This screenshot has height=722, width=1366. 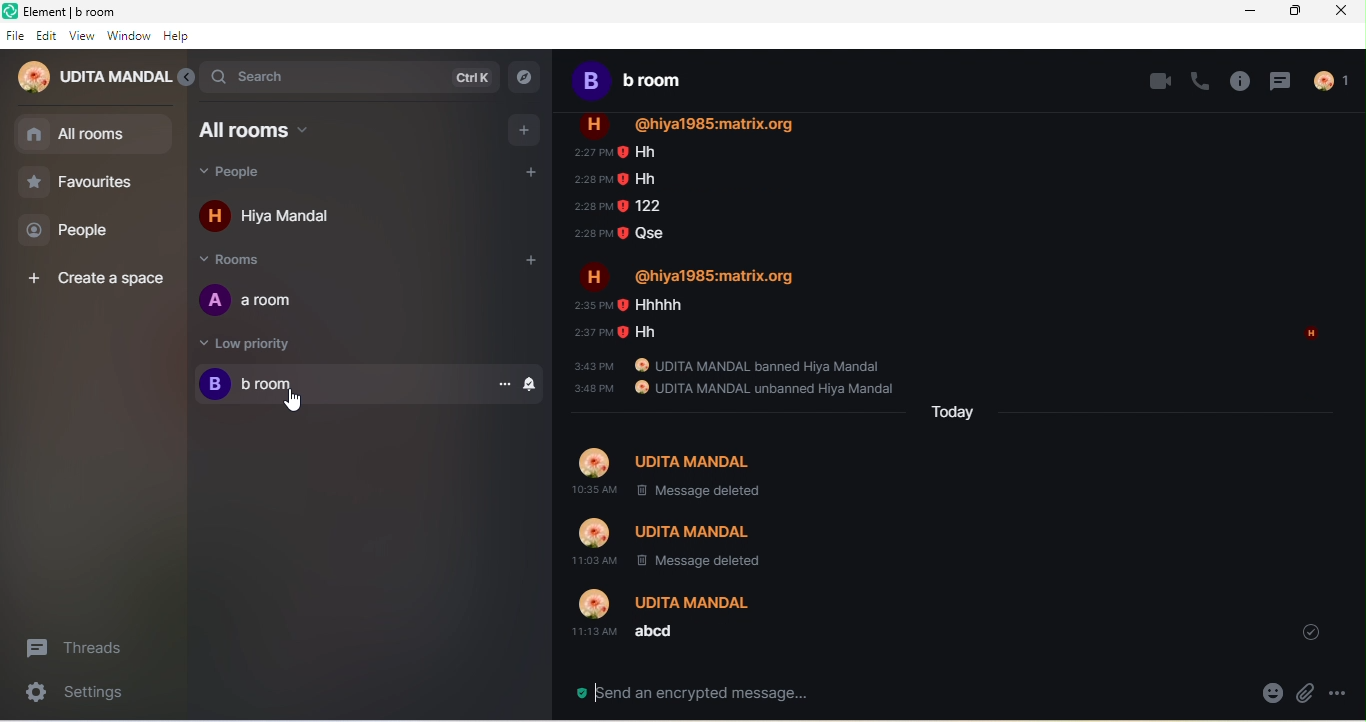 What do you see at coordinates (1265, 696) in the screenshot?
I see `emoji` at bounding box center [1265, 696].